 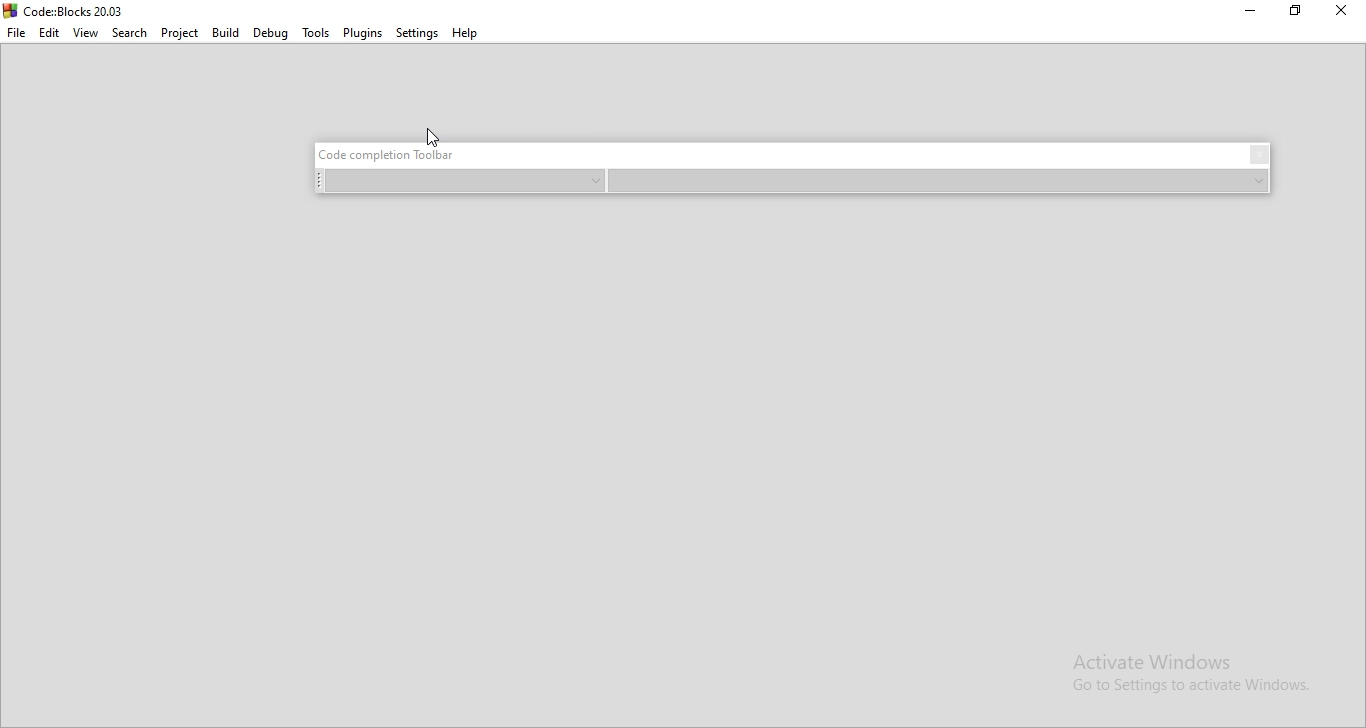 What do you see at coordinates (1259, 155) in the screenshot?
I see `close` at bounding box center [1259, 155].